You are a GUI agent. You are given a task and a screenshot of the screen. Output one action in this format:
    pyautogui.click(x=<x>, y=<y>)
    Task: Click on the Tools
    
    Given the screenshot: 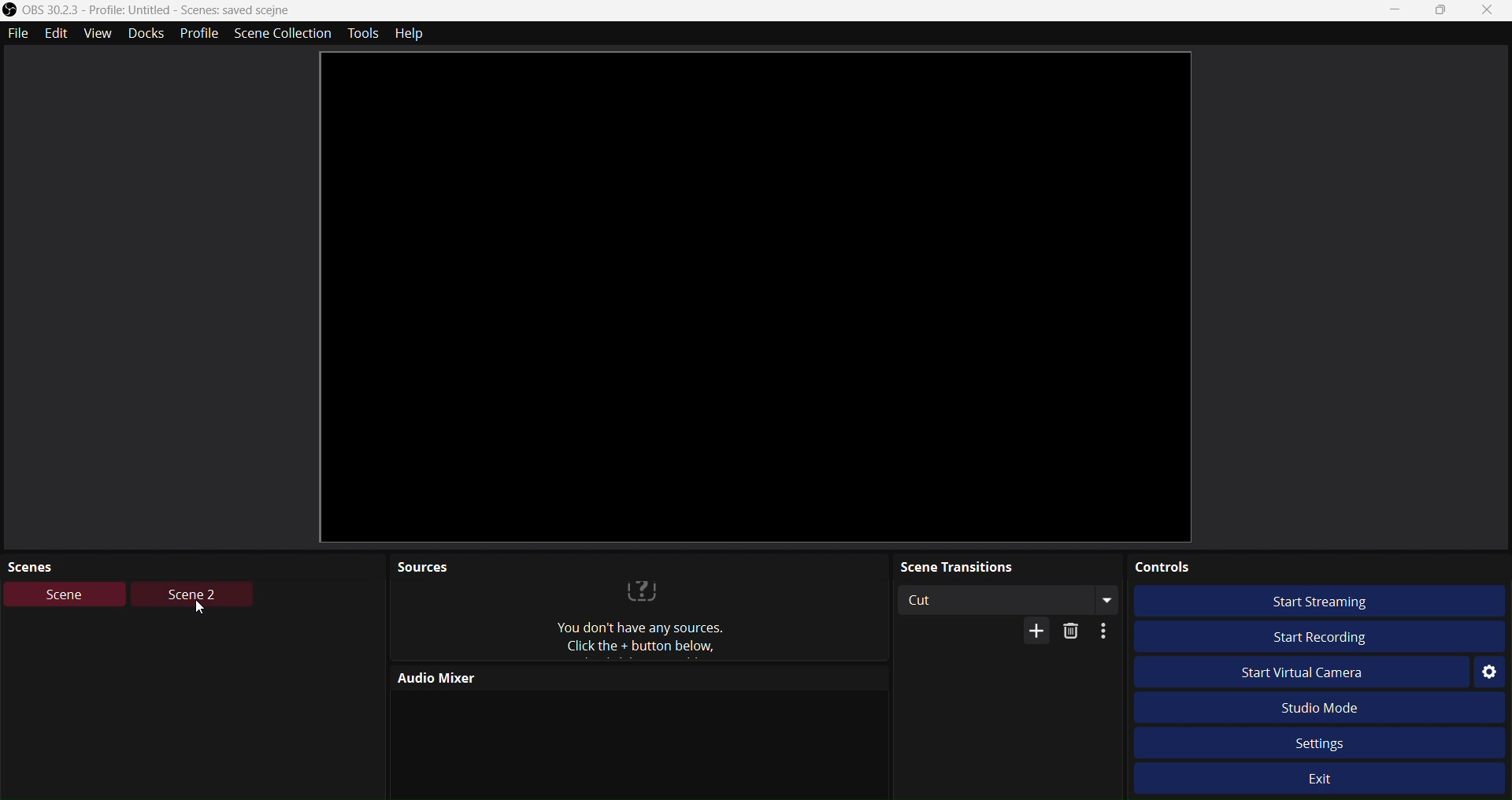 What is the action you would take?
    pyautogui.click(x=362, y=33)
    